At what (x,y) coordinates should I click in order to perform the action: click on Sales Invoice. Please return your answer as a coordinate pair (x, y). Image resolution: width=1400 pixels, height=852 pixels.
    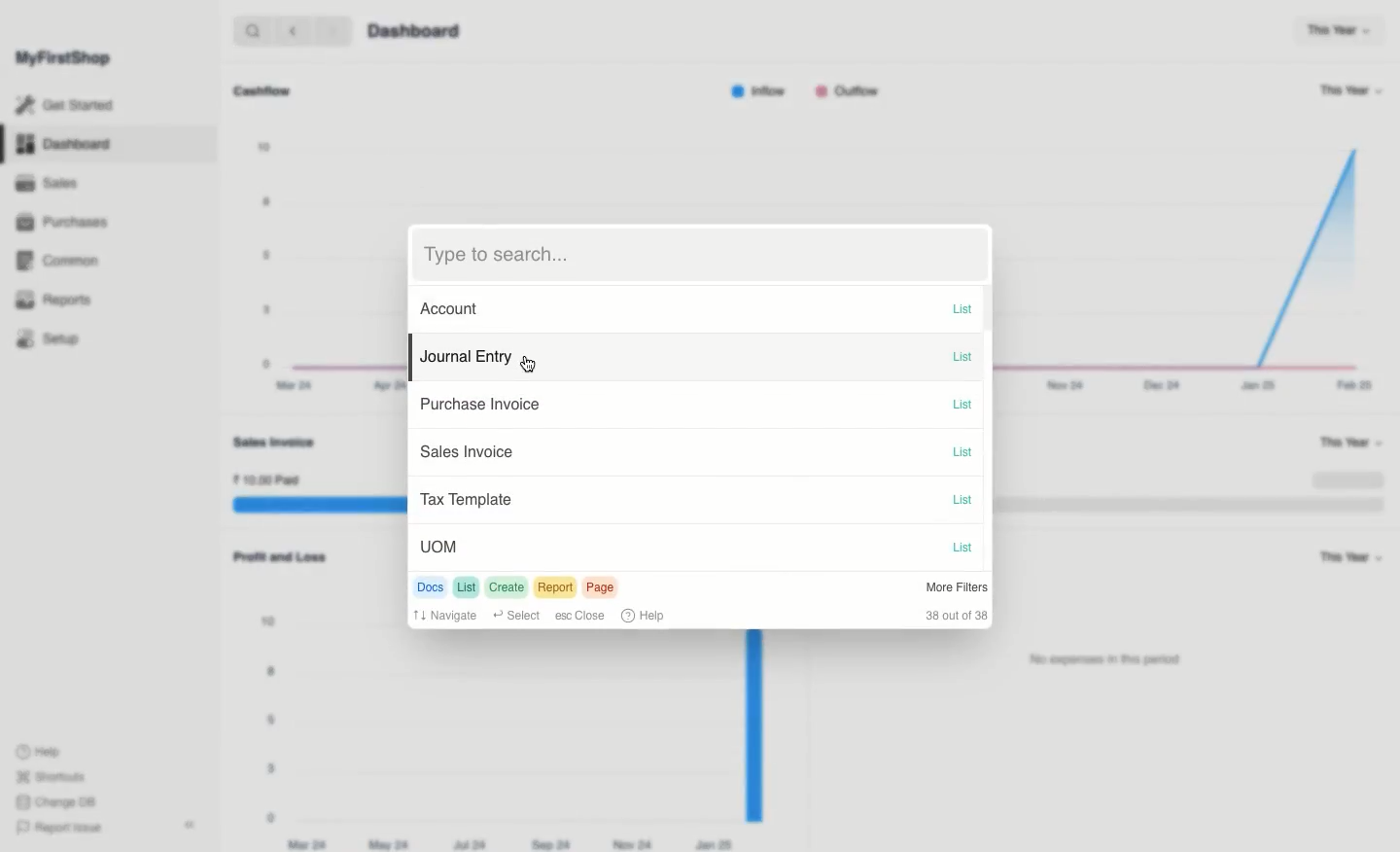
    Looking at the image, I should click on (274, 443).